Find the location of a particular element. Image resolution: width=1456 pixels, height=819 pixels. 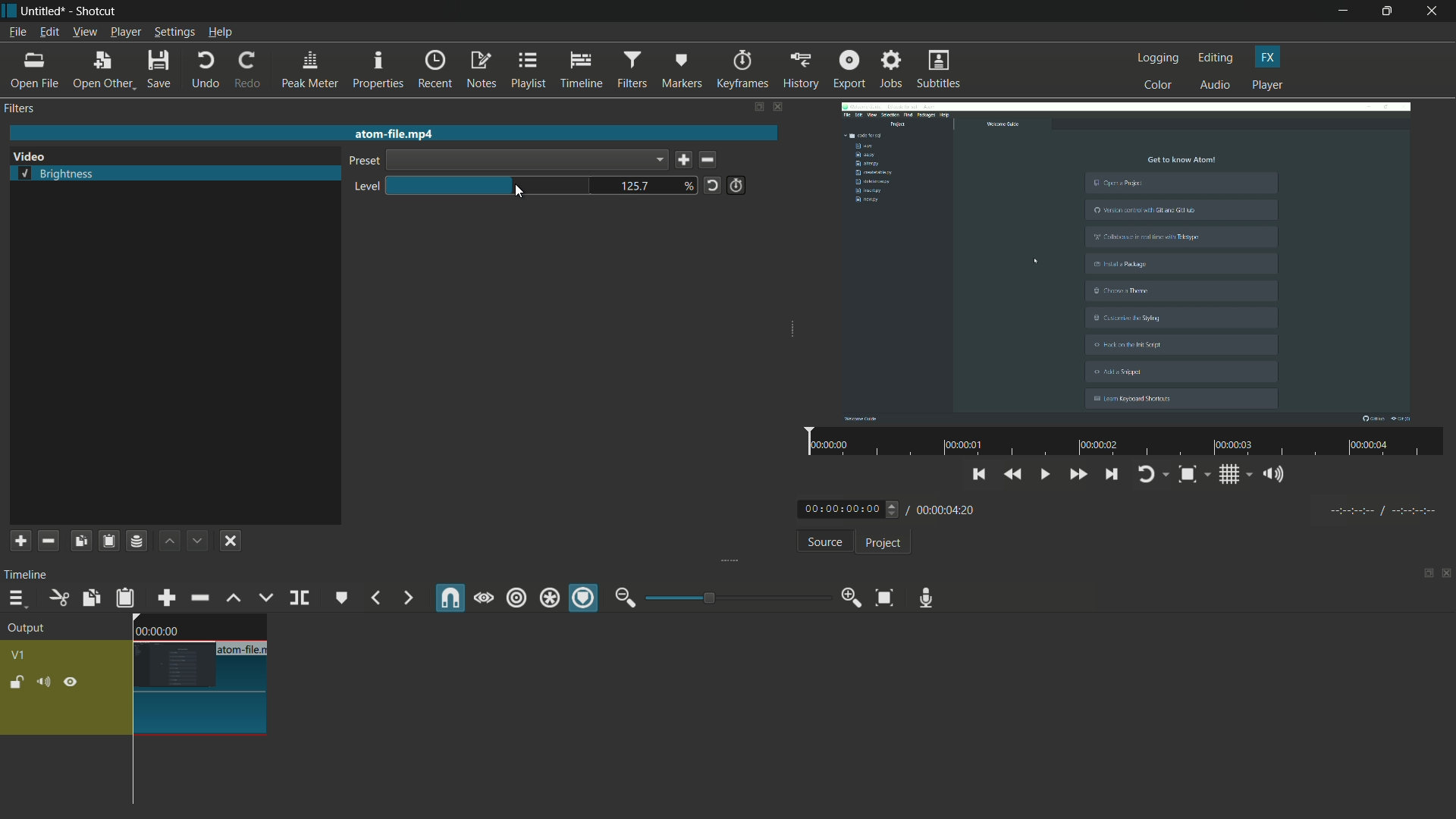

copy is located at coordinates (89, 598).